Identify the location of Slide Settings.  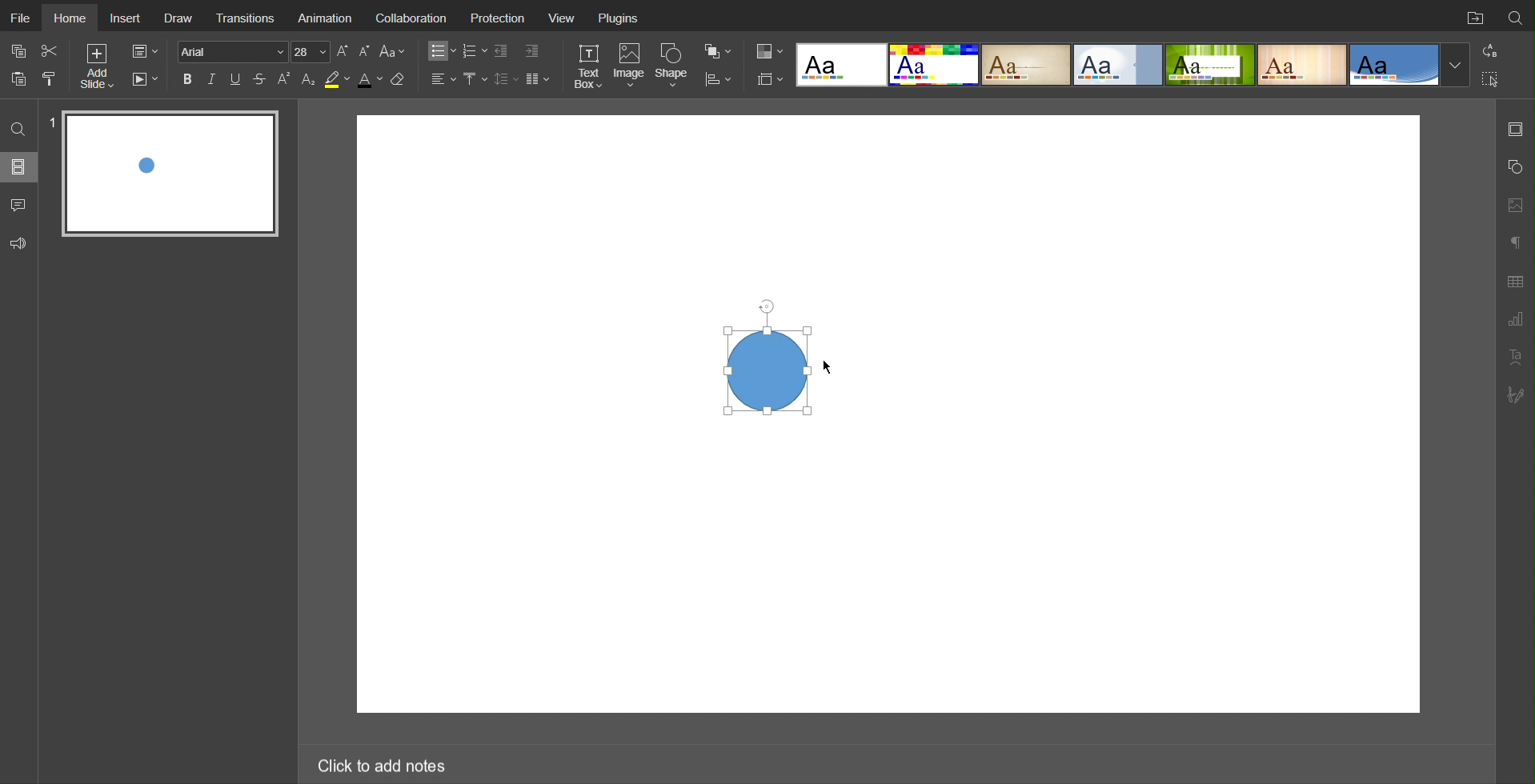
(767, 79).